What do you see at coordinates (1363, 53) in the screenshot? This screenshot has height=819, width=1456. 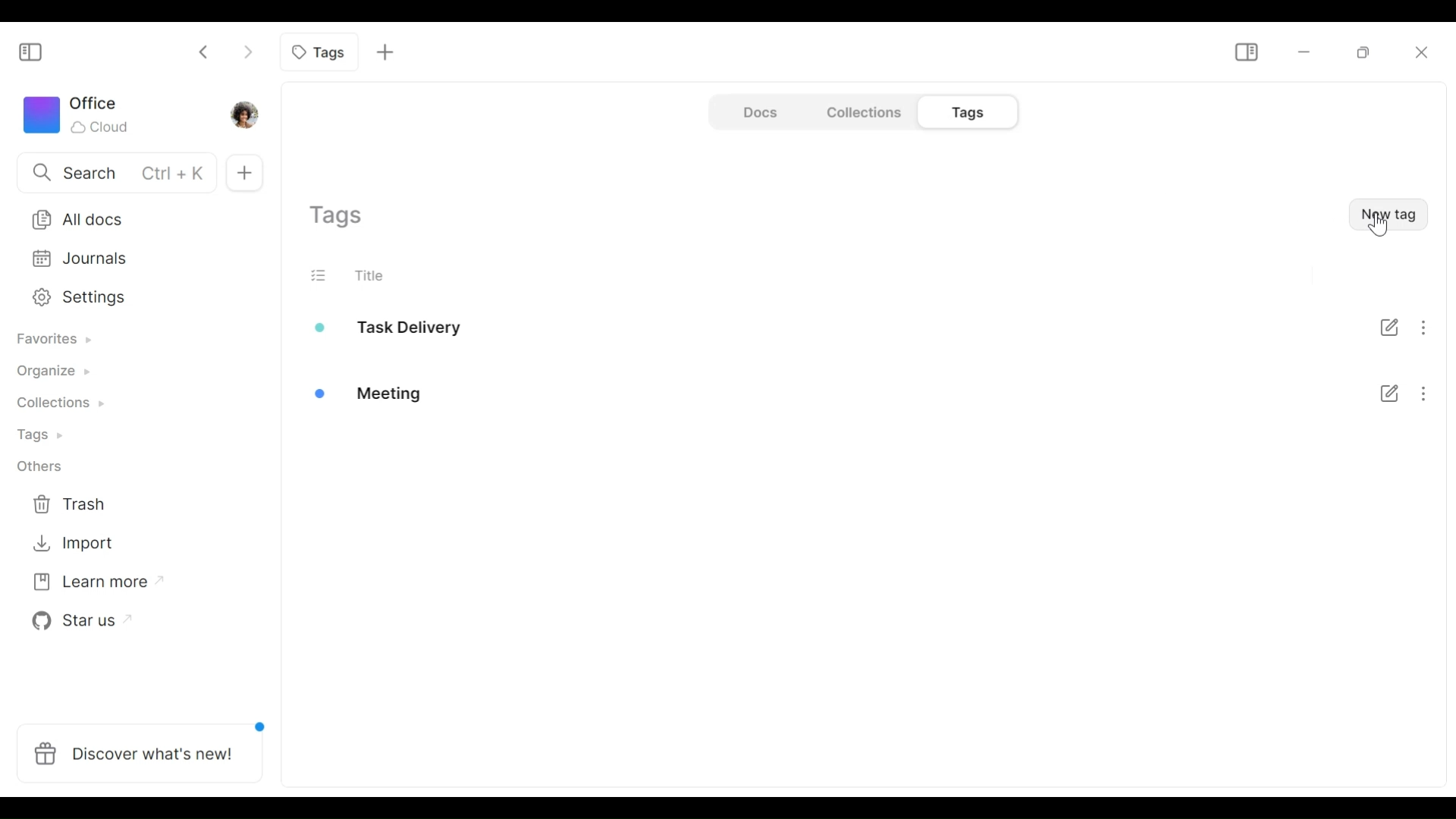 I see `Restore` at bounding box center [1363, 53].